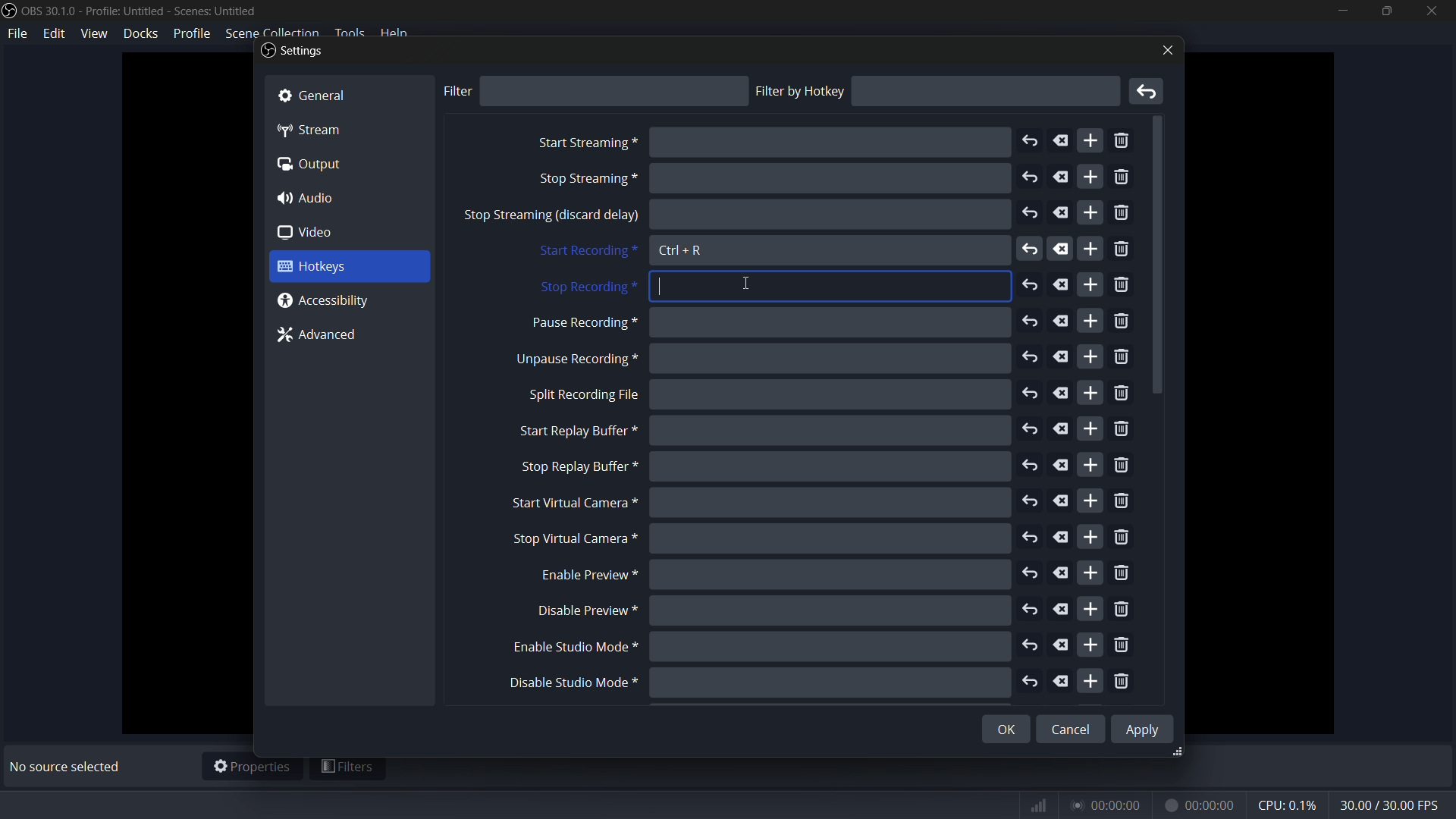 The height and width of the screenshot is (819, 1456). What do you see at coordinates (586, 143) in the screenshot?
I see `start streaming` at bounding box center [586, 143].